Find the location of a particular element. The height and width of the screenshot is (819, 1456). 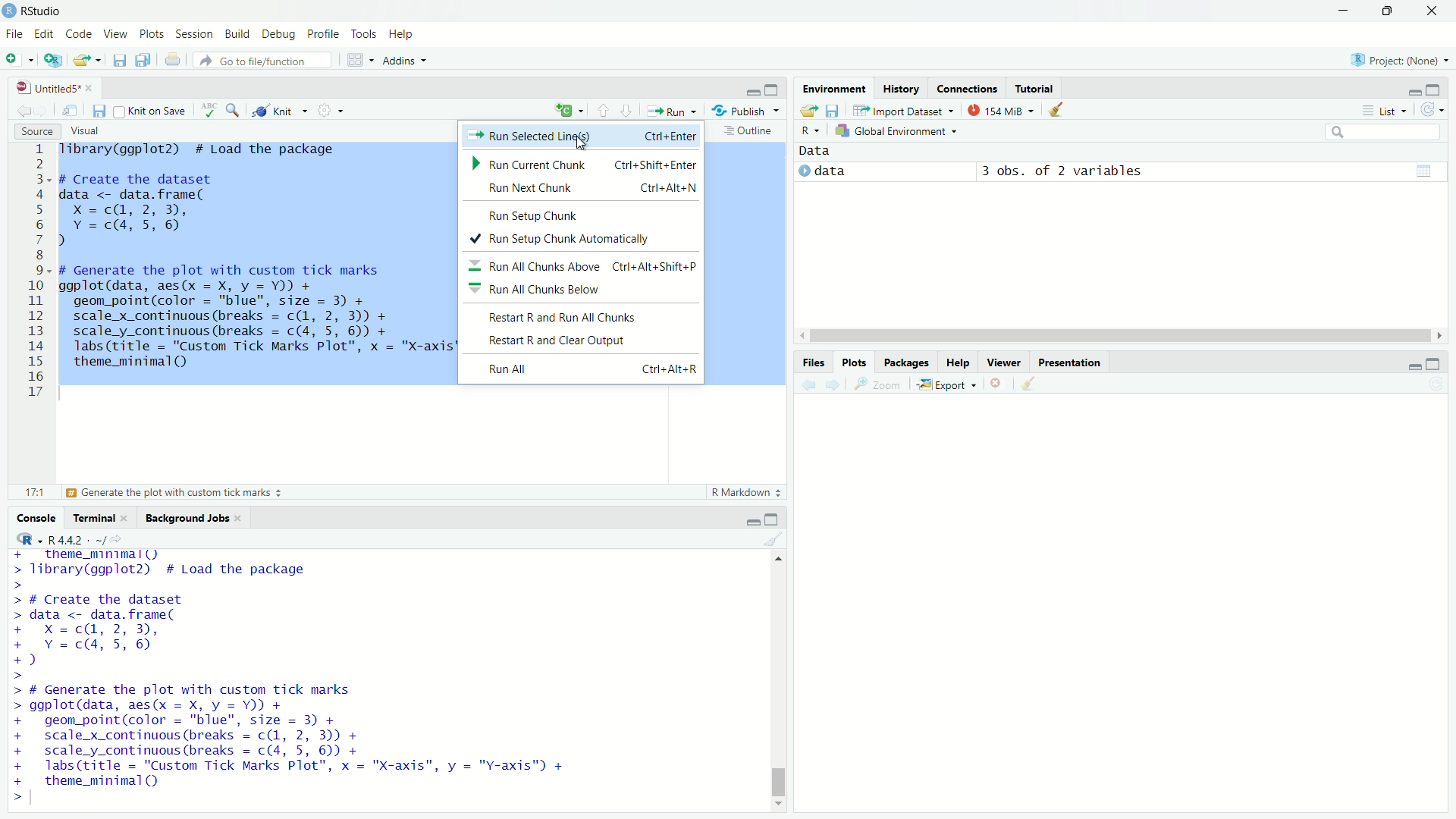

empty plot area is located at coordinates (1131, 617).